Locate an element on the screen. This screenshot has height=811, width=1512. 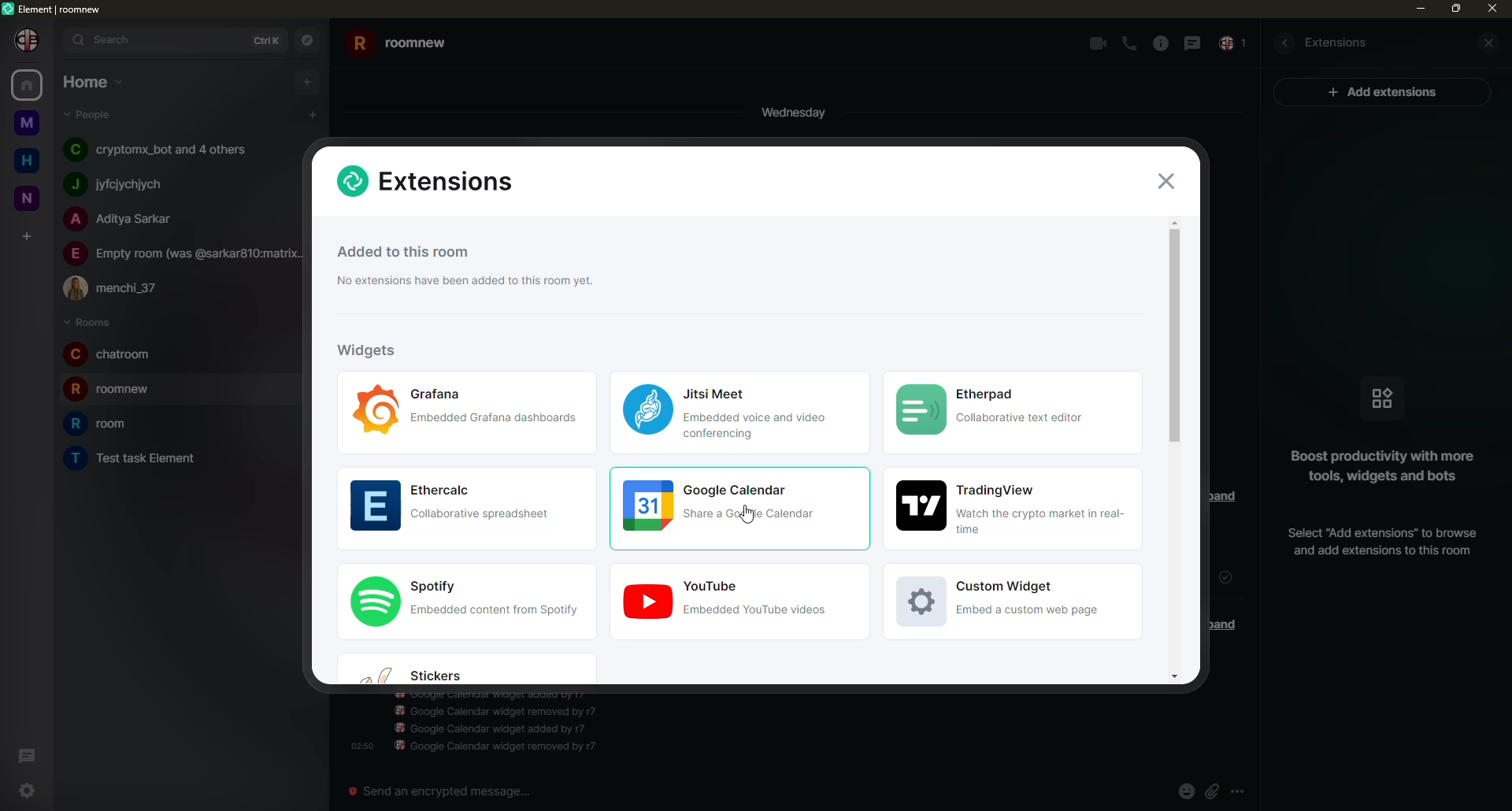
widgets is located at coordinates (738, 601).